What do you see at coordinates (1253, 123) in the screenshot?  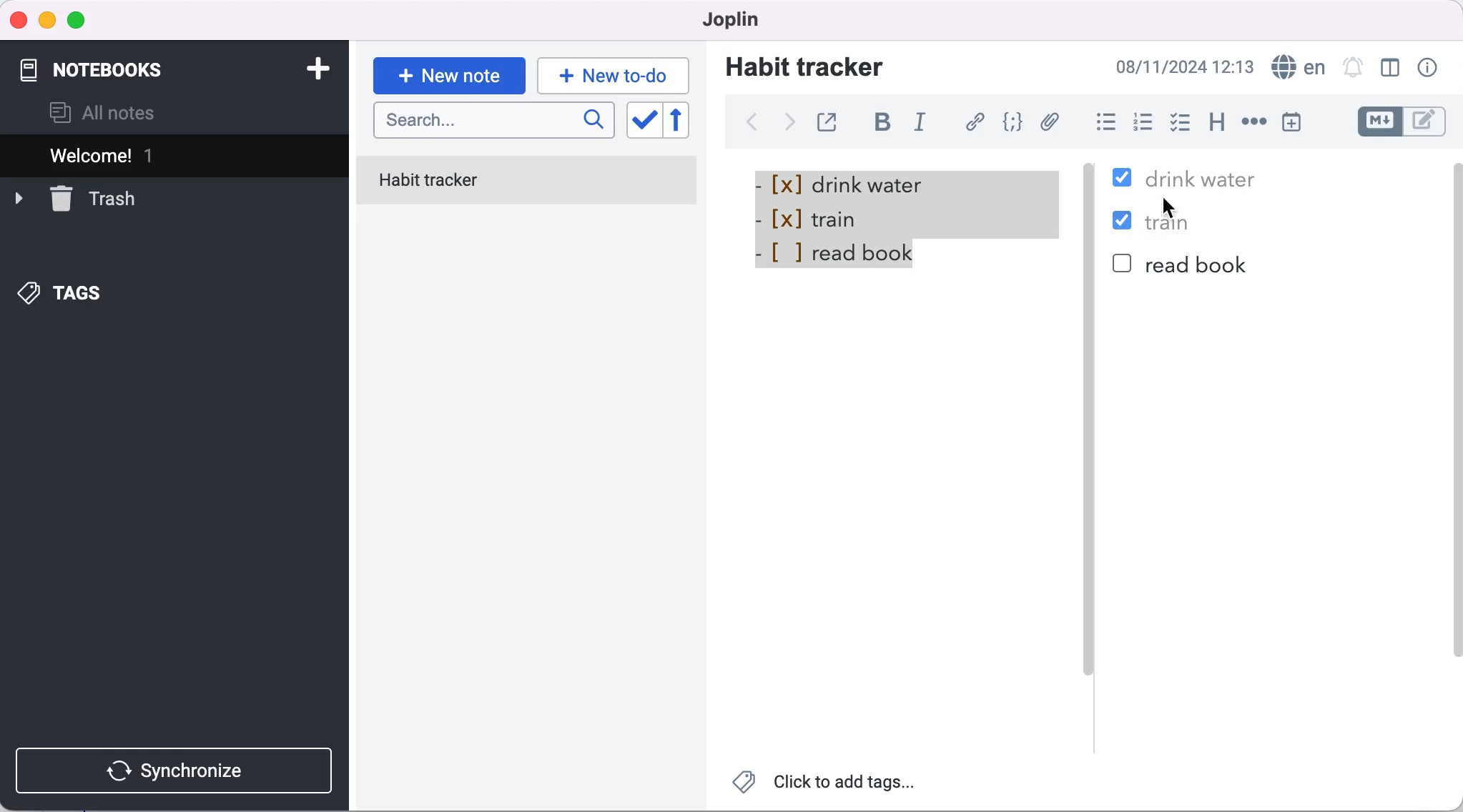 I see `horizontal rule` at bounding box center [1253, 123].